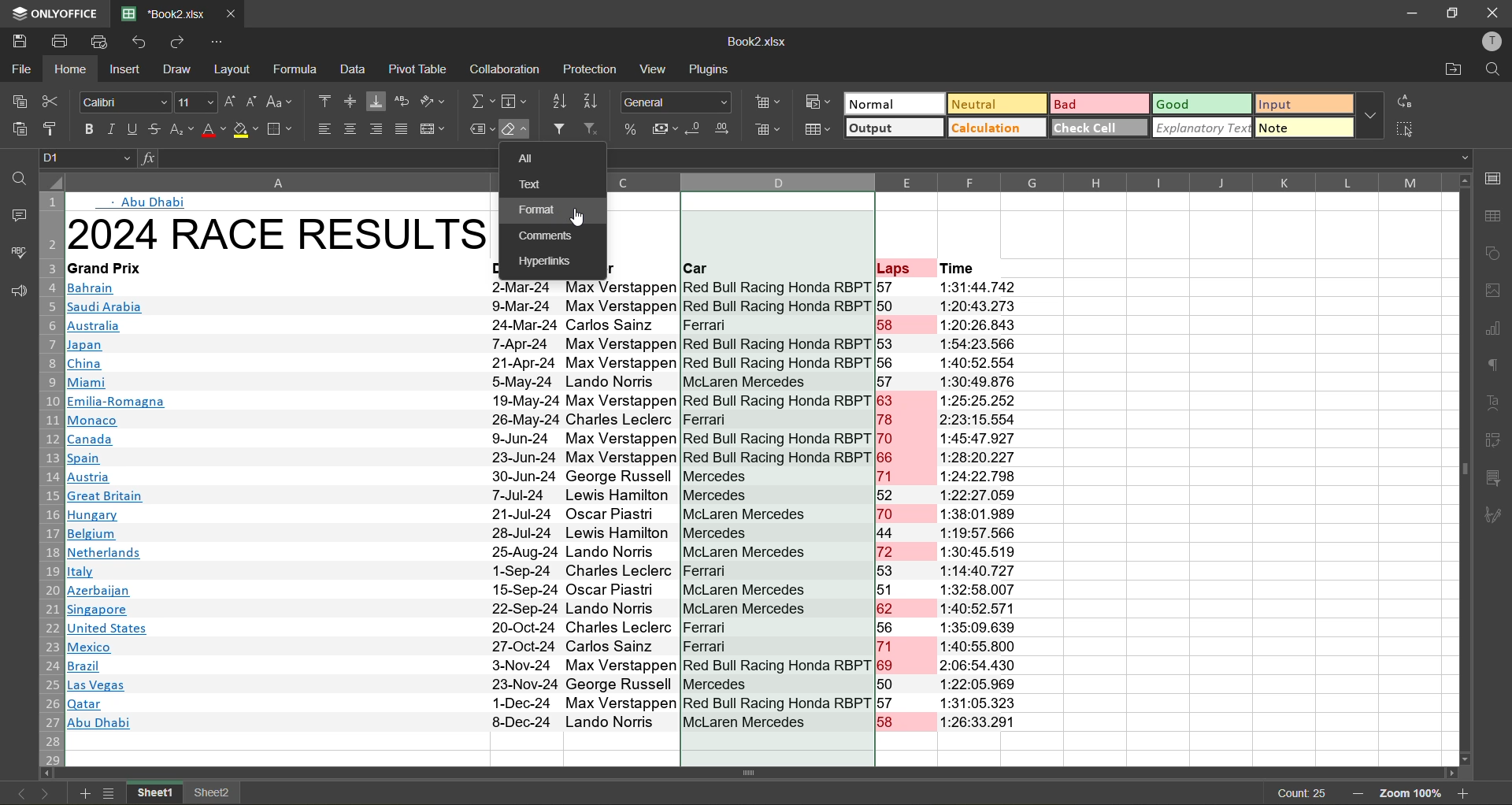 The width and height of the screenshot is (1512, 805). I want to click on fill color, so click(247, 130).